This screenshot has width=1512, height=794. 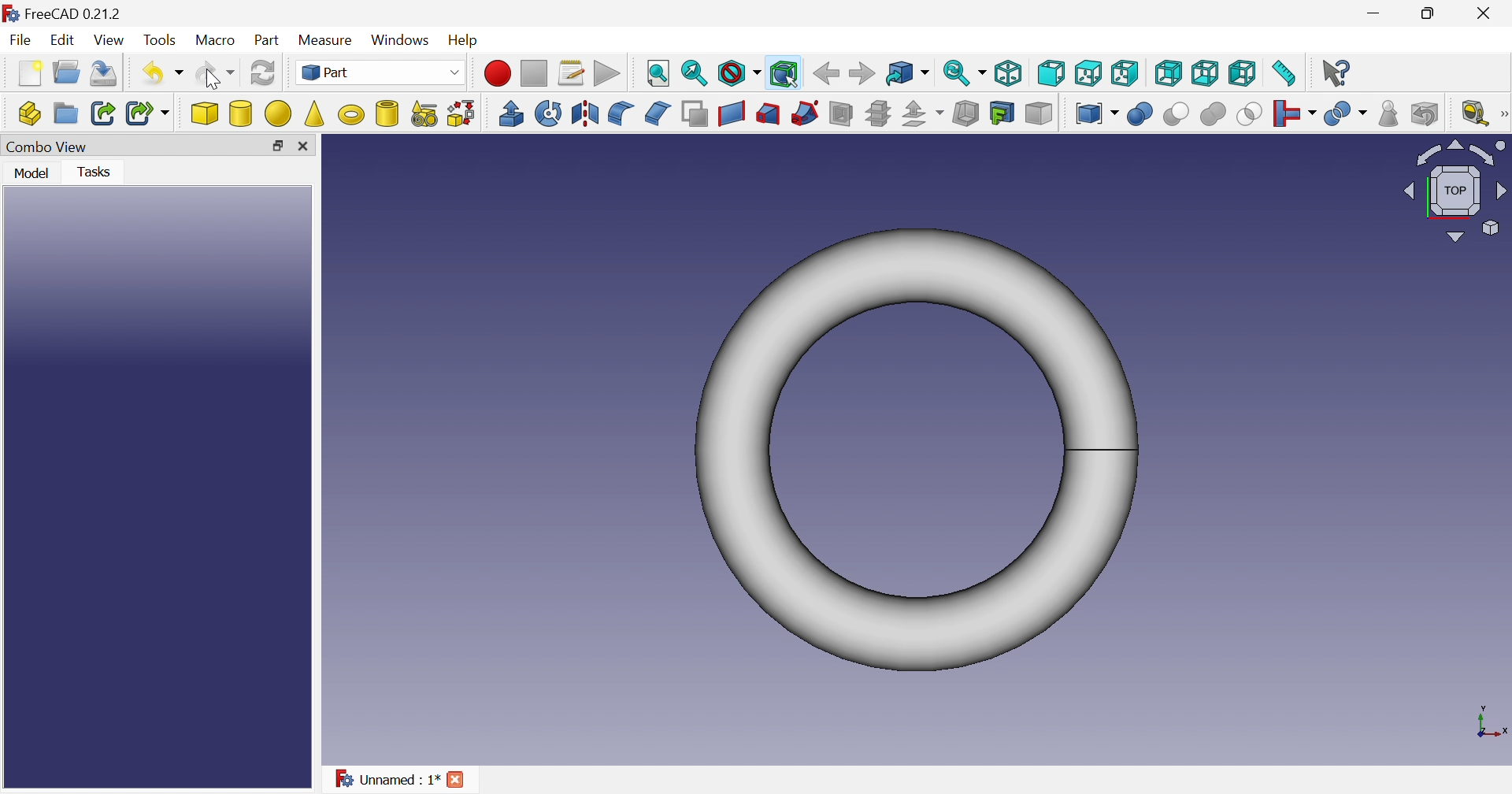 What do you see at coordinates (1389, 113) in the screenshot?
I see `Check geometry` at bounding box center [1389, 113].